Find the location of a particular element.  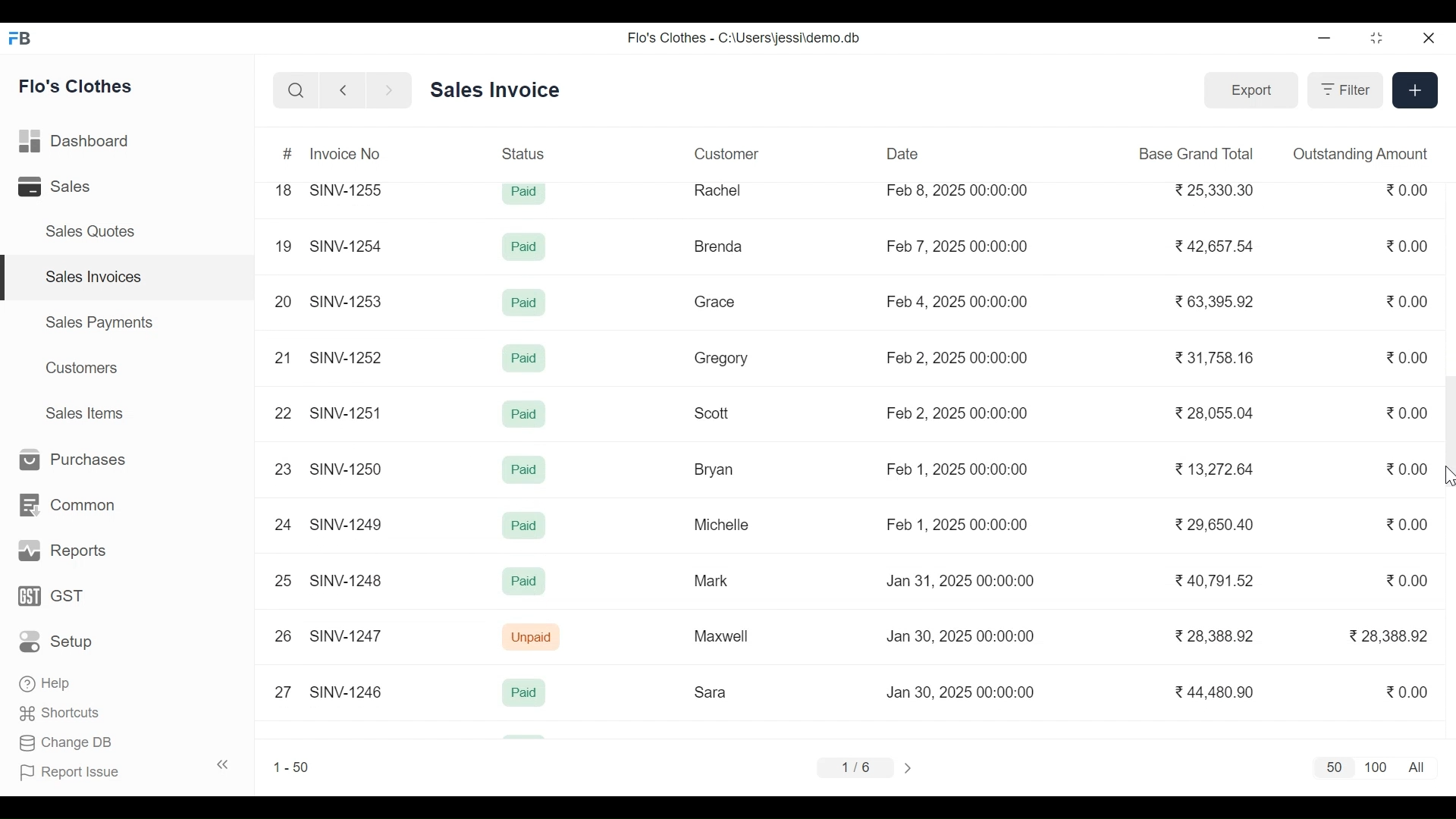

| Report Issue is located at coordinates (126, 770).